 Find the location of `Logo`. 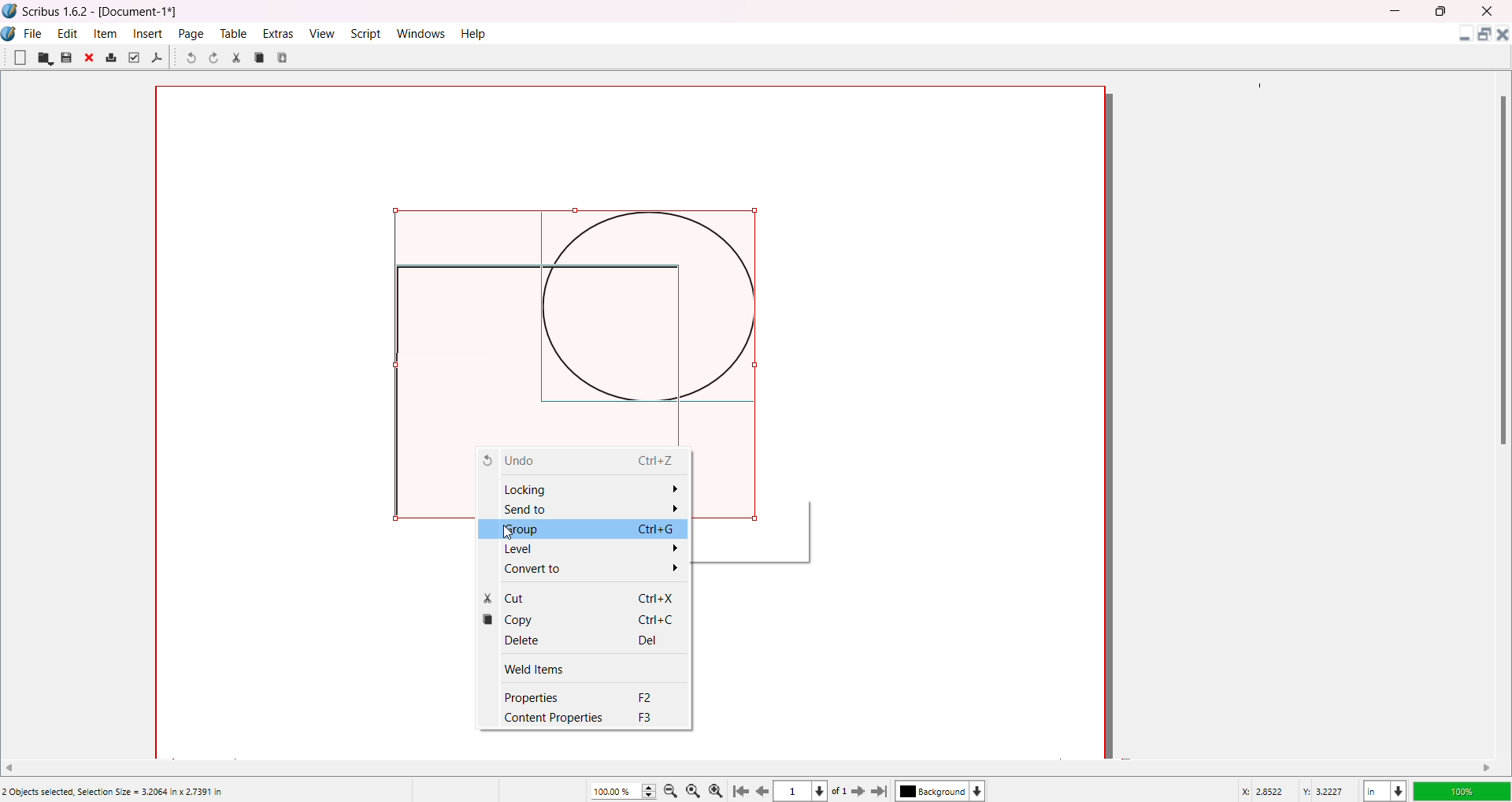

Logo is located at coordinates (11, 34).